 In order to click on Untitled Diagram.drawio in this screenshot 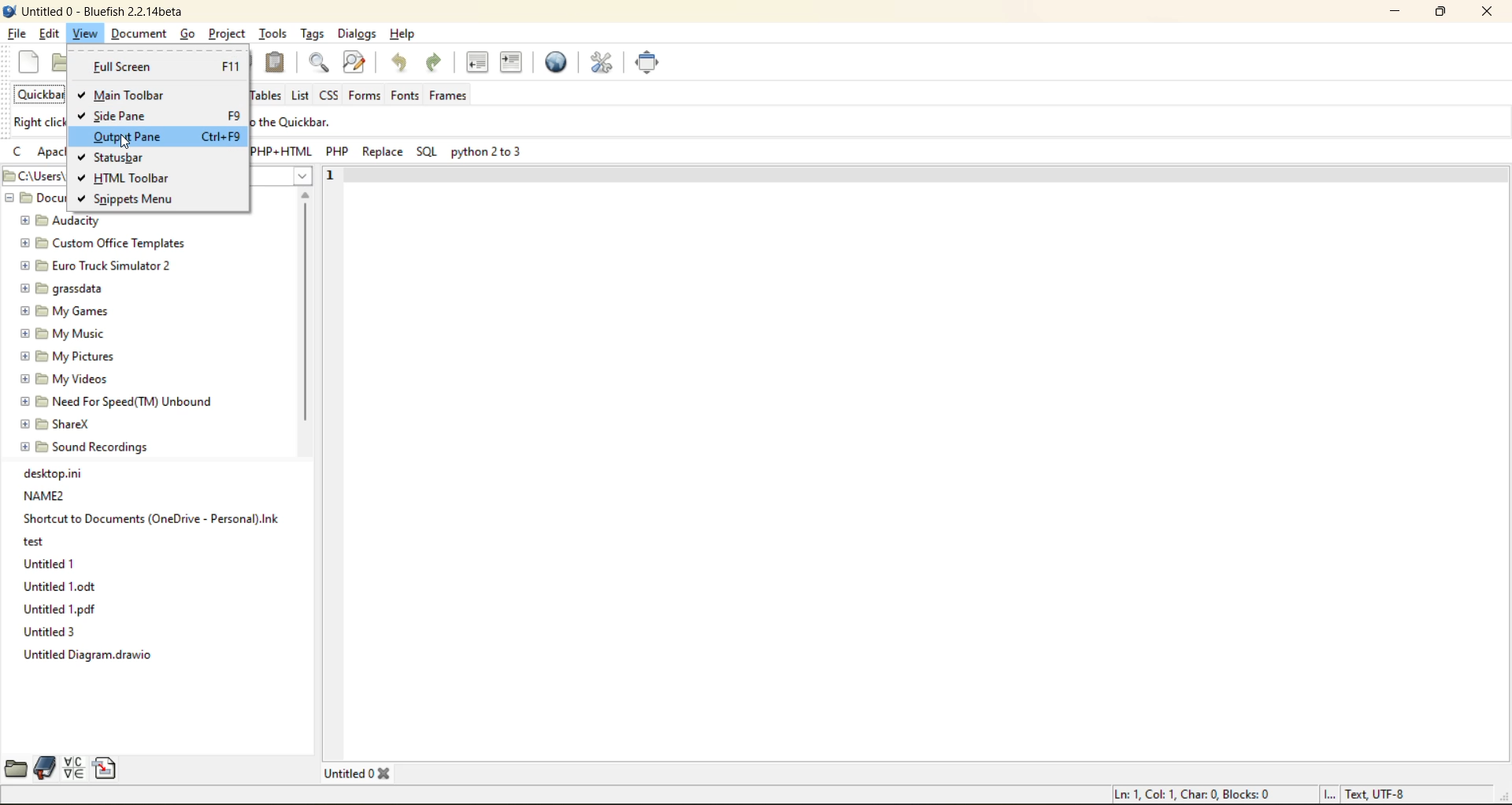, I will do `click(92, 658)`.